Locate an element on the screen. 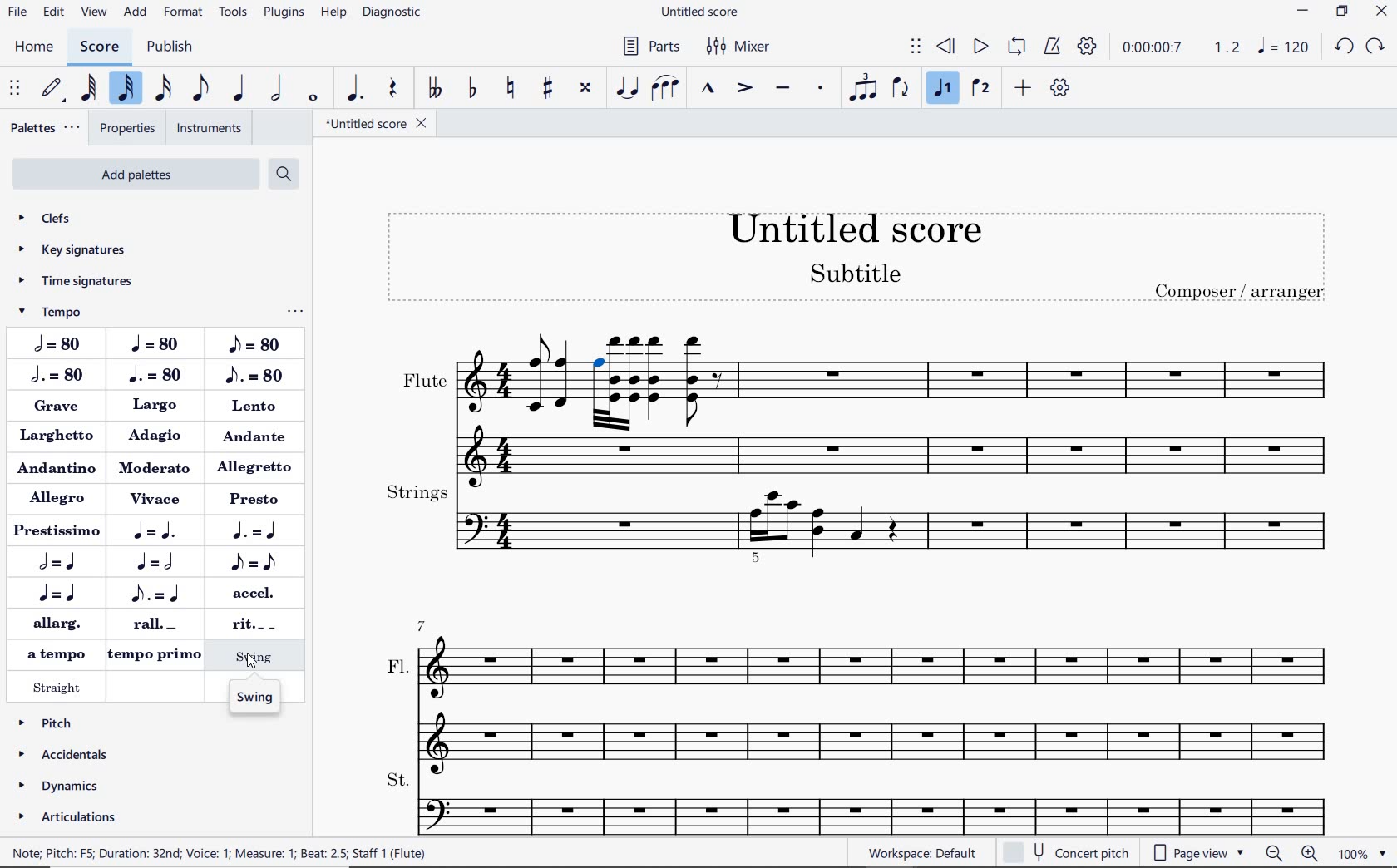 Image resolution: width=1397 pixels, height=868 pixels. flute is located at coordinates (599, 426).